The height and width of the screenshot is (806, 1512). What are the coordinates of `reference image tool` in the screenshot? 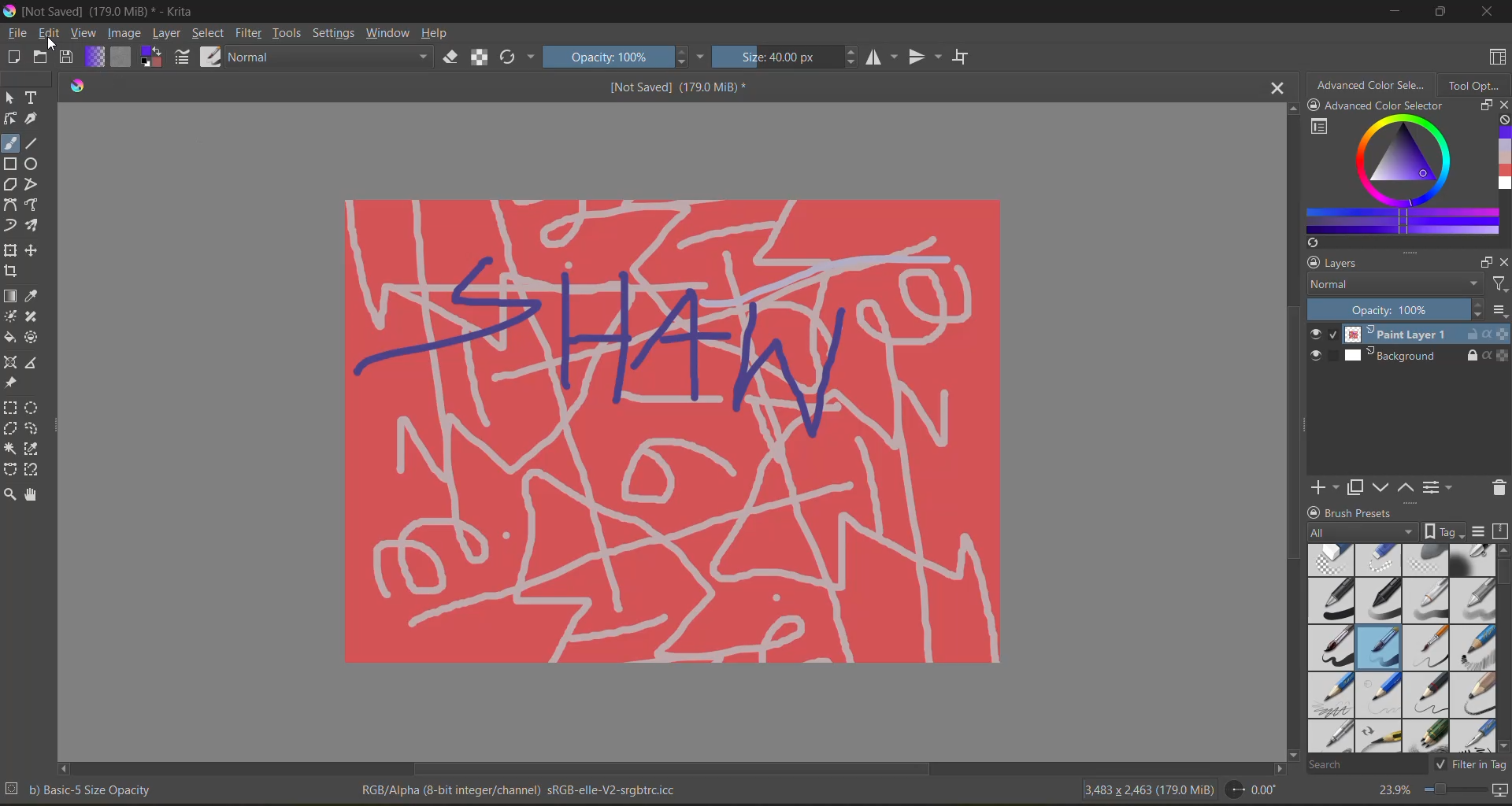 It's located at (13, 384).